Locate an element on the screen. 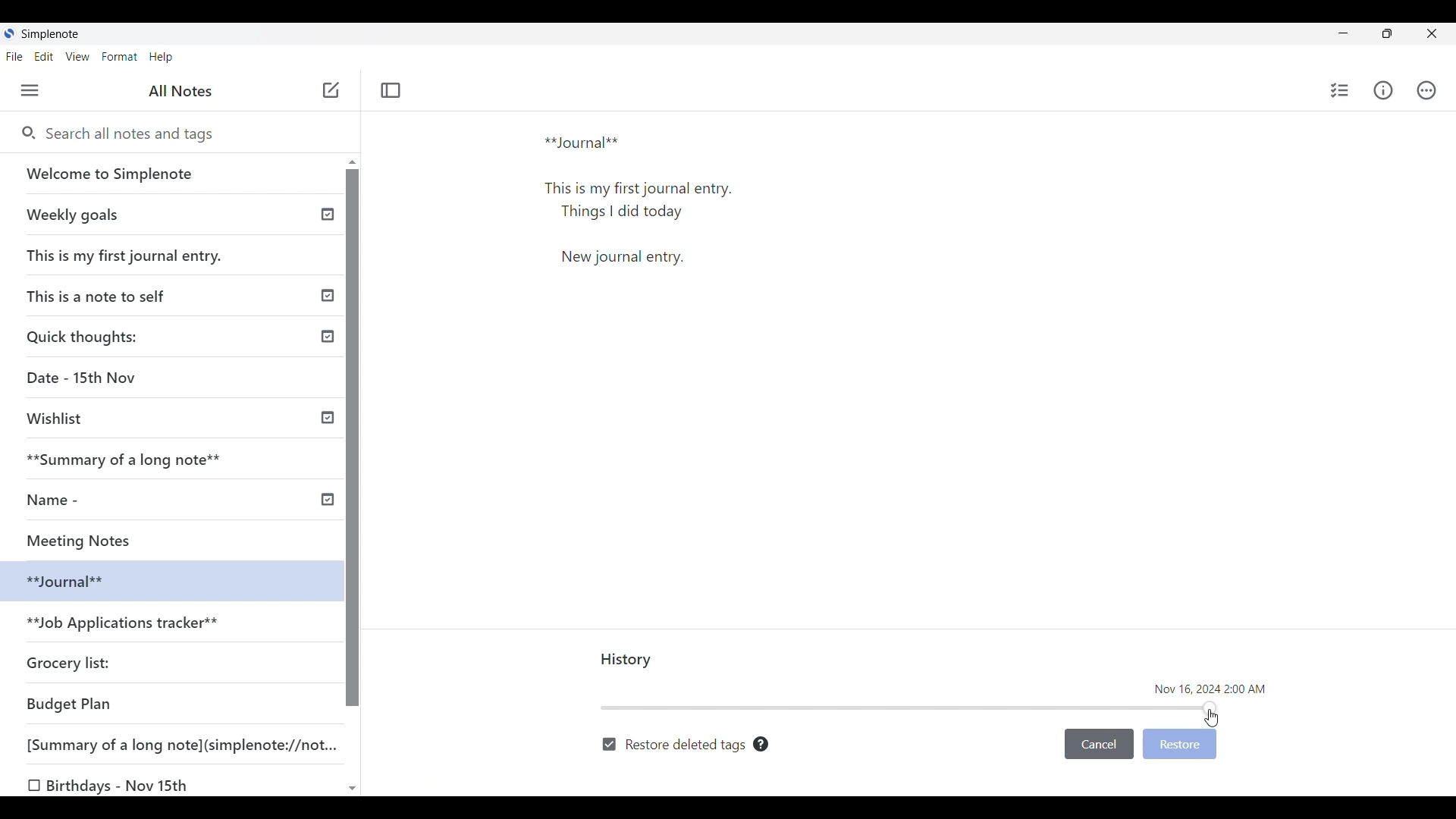 The height and width of the screenshot is (819, 1456). Restore version shown by current header position is located at coordinates (1179, 745).